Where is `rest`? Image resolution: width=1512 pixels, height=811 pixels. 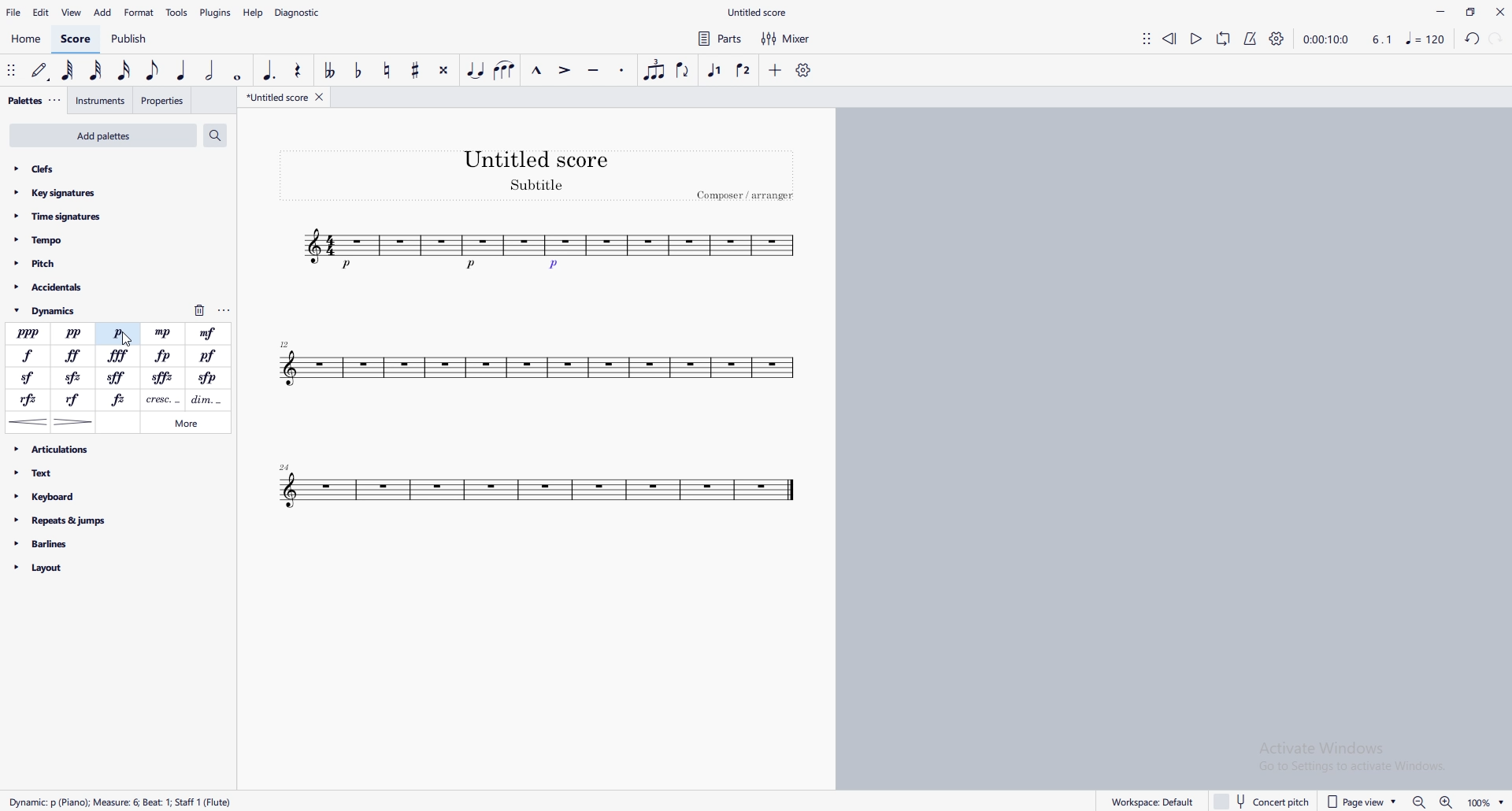 rest is located at coordinates (299, 69).